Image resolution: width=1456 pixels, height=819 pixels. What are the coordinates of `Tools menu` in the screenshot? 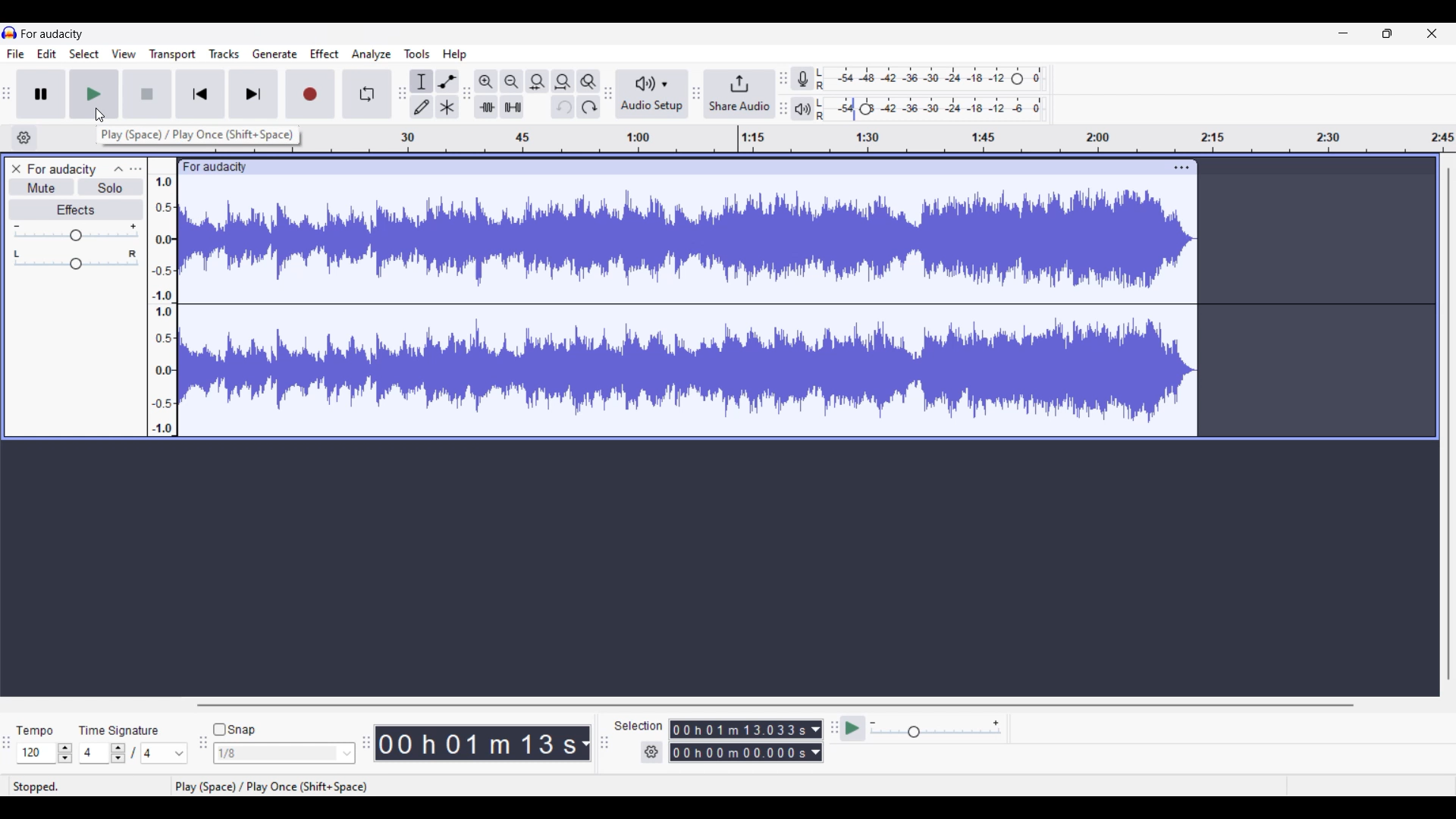 It's located at (417, 54).